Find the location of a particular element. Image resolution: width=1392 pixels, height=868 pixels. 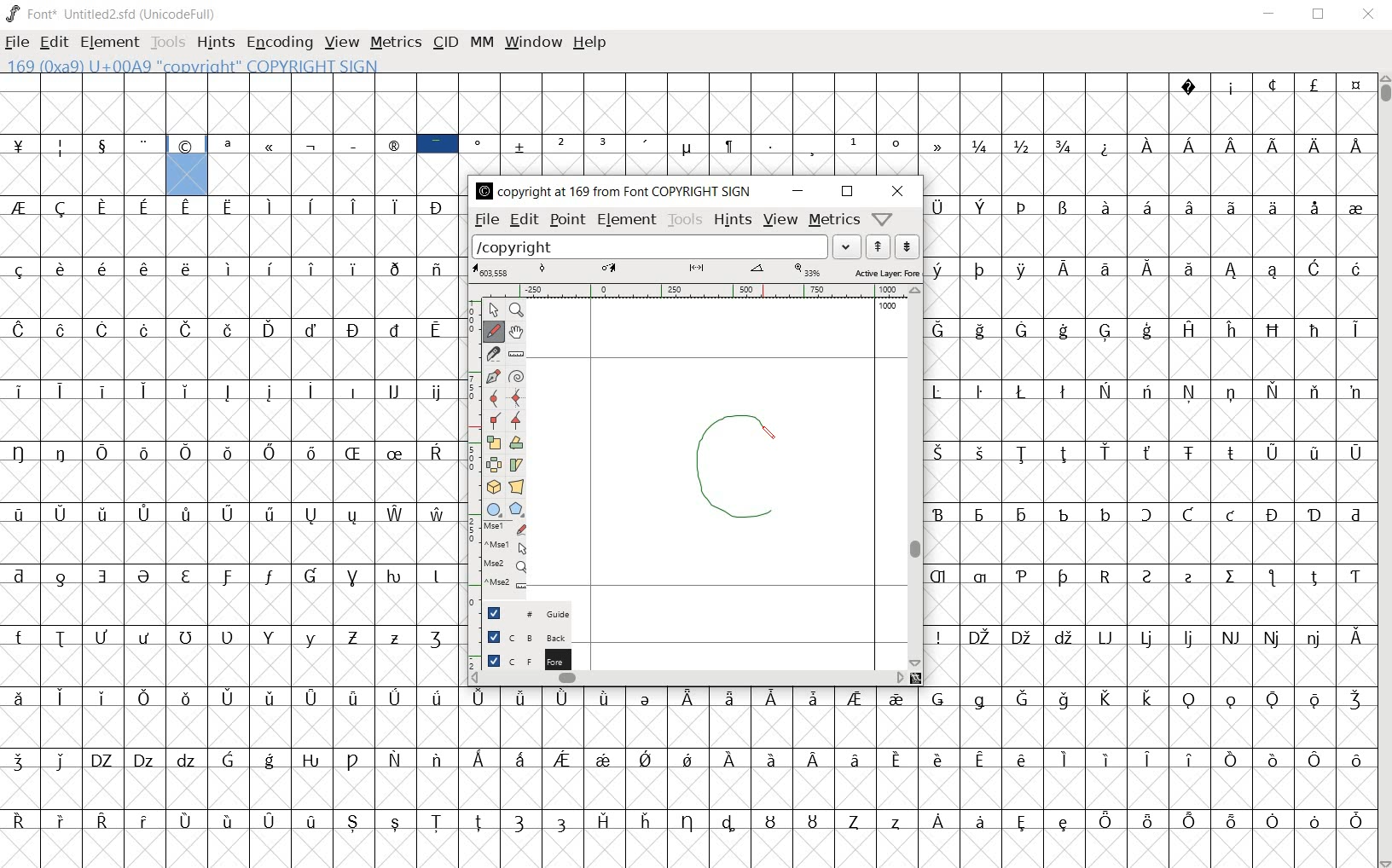

glyph characters is located at coordinates (894, 123).